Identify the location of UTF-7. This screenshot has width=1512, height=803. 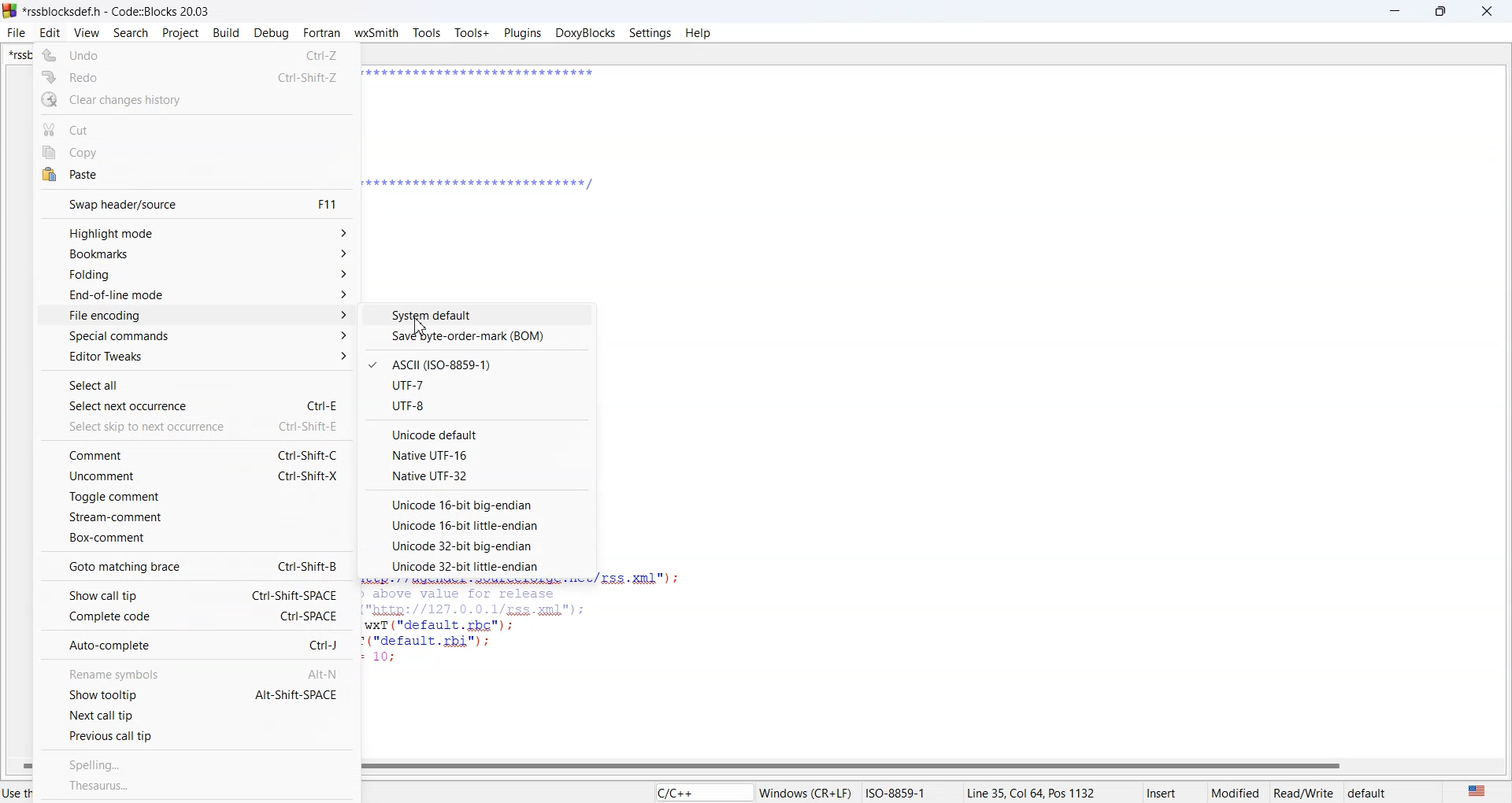
(478, 384).